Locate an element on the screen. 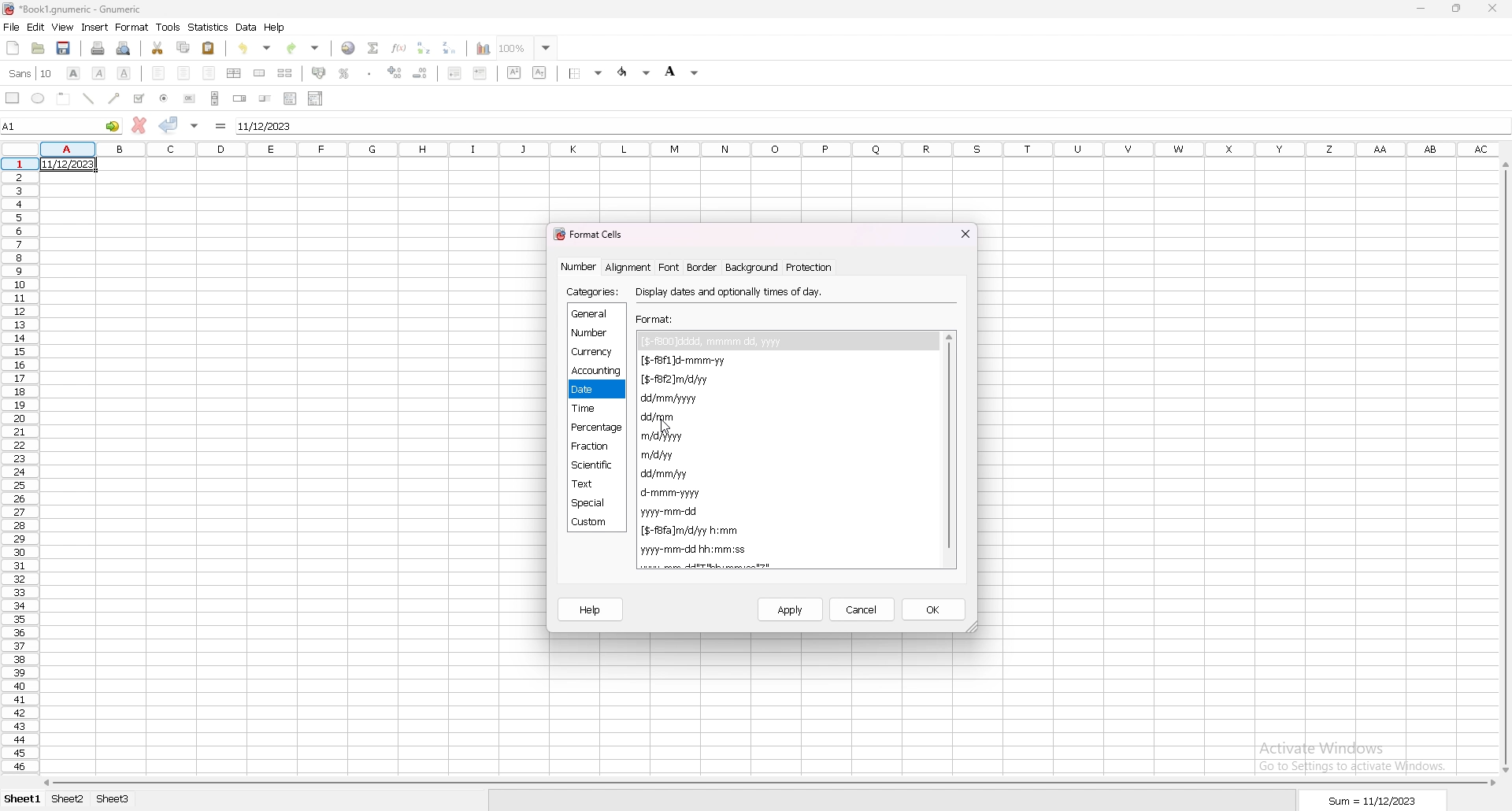 The image size is (1512, 811). tickbox is located at coordinates (140, 98).